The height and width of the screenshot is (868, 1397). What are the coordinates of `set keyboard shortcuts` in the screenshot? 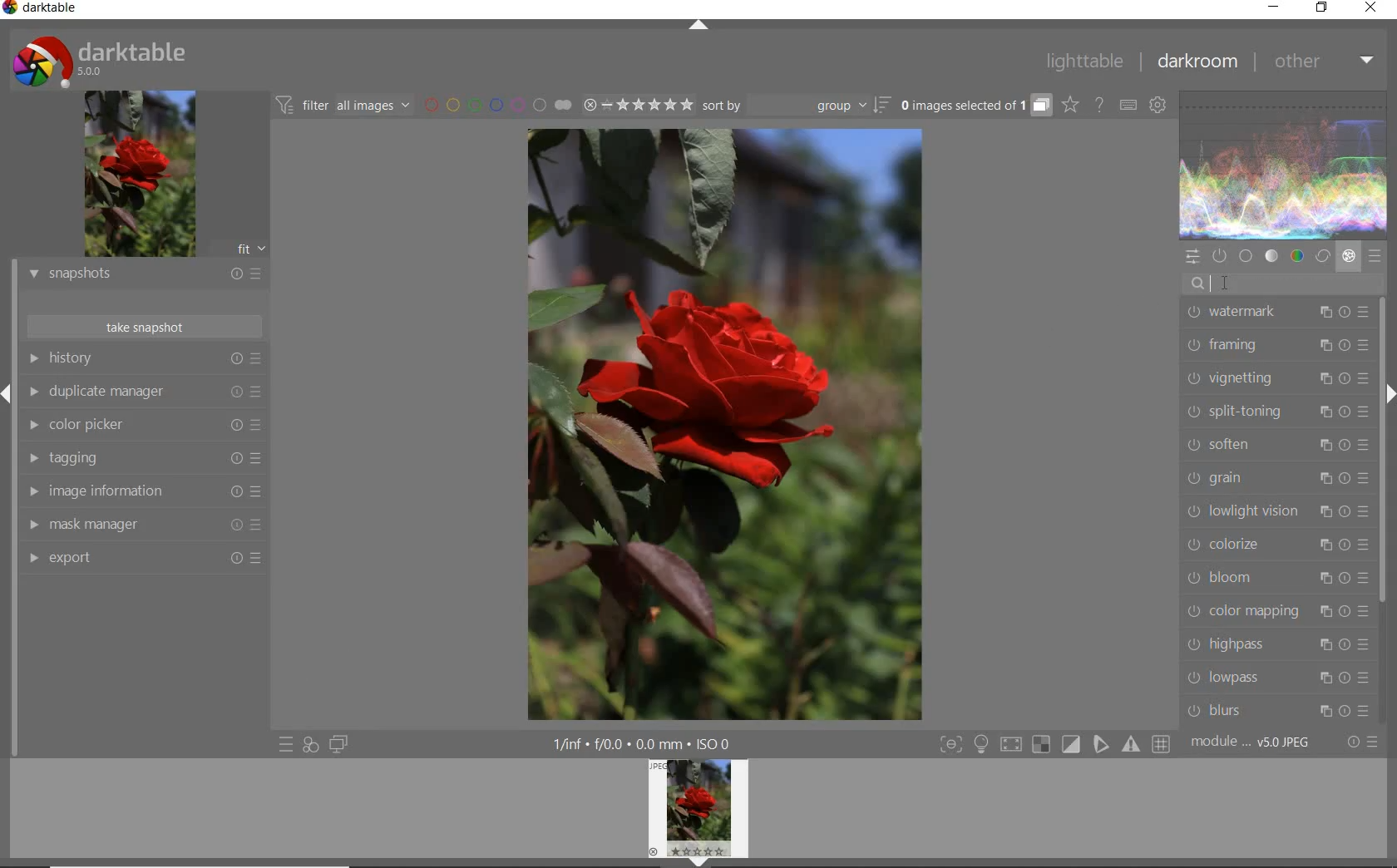 It's located at (1128, 105).